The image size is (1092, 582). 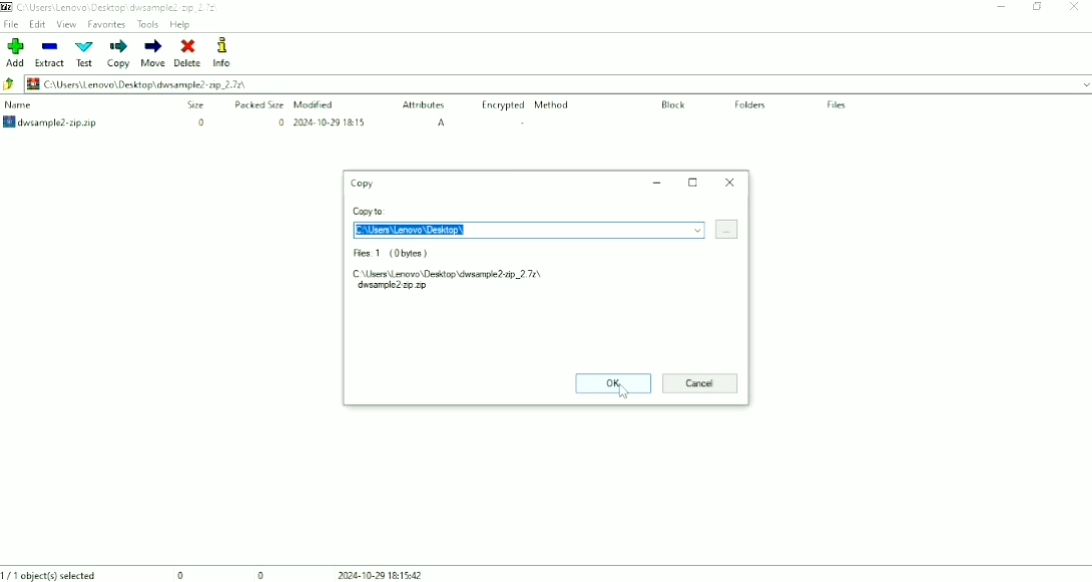 What do you see at coordinates (280, 123) in the screenshot?
I see `0` at bounding box center [280, 123].